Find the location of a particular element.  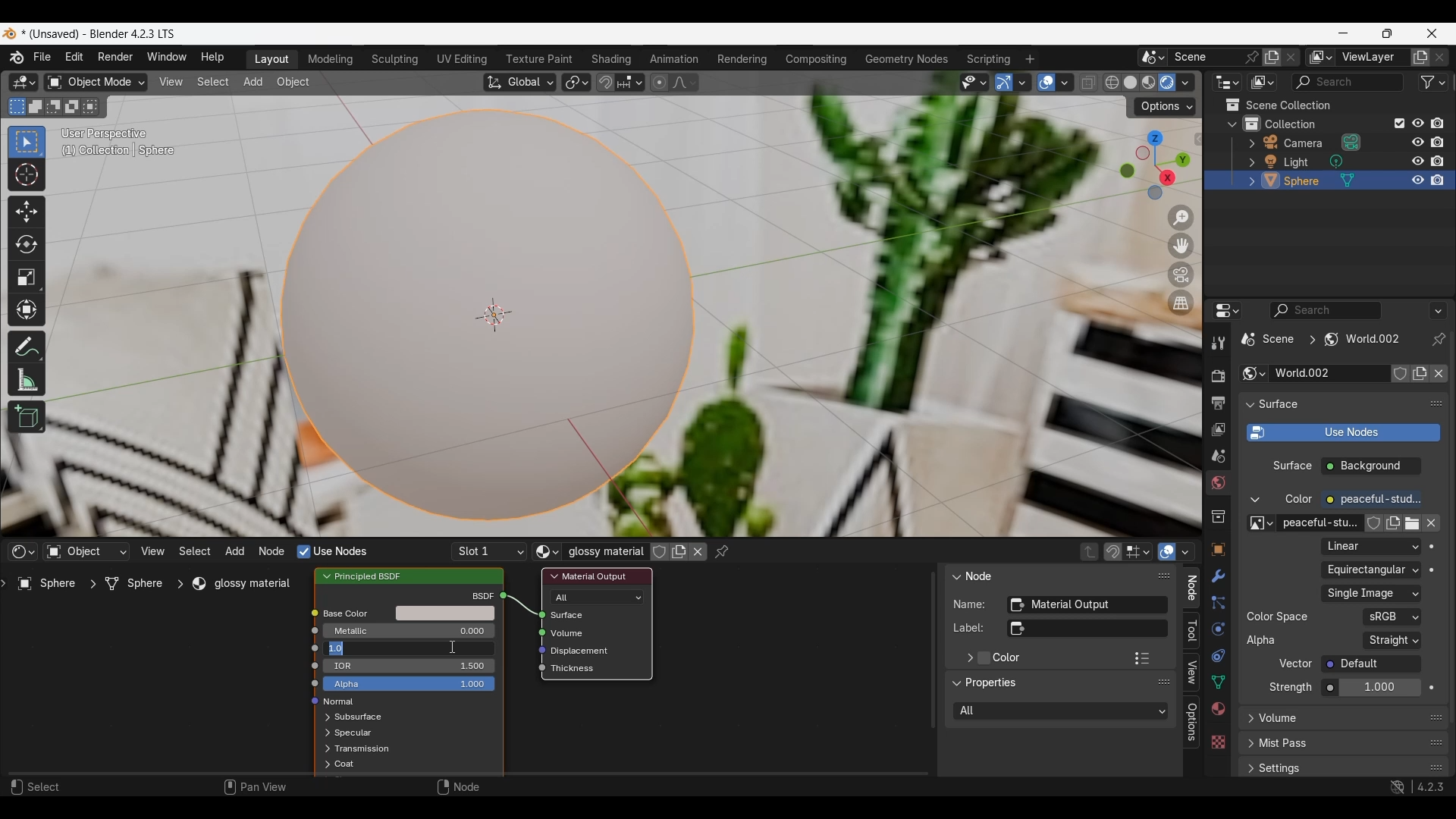

Pin scene to workspace is located at coordinates (1251, 58).